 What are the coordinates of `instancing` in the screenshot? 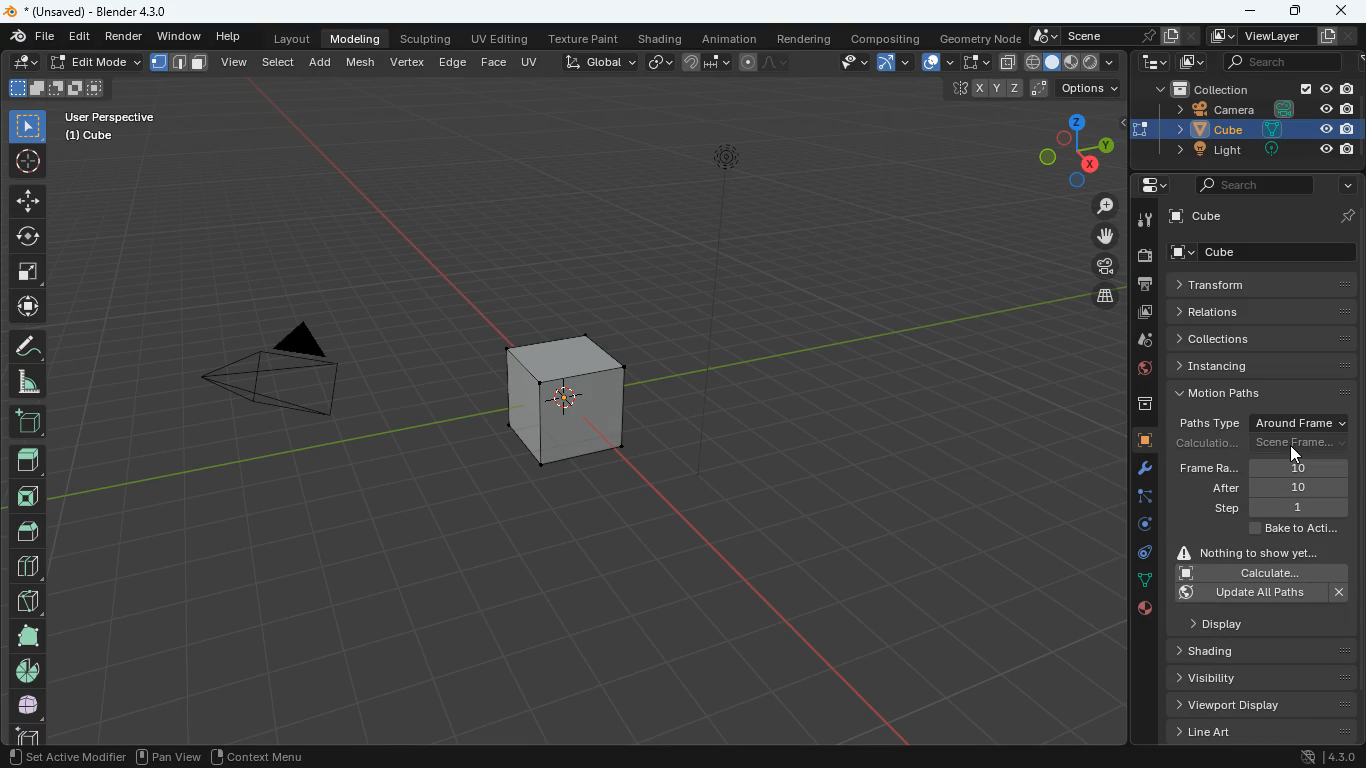 It's located at (1267, 365).